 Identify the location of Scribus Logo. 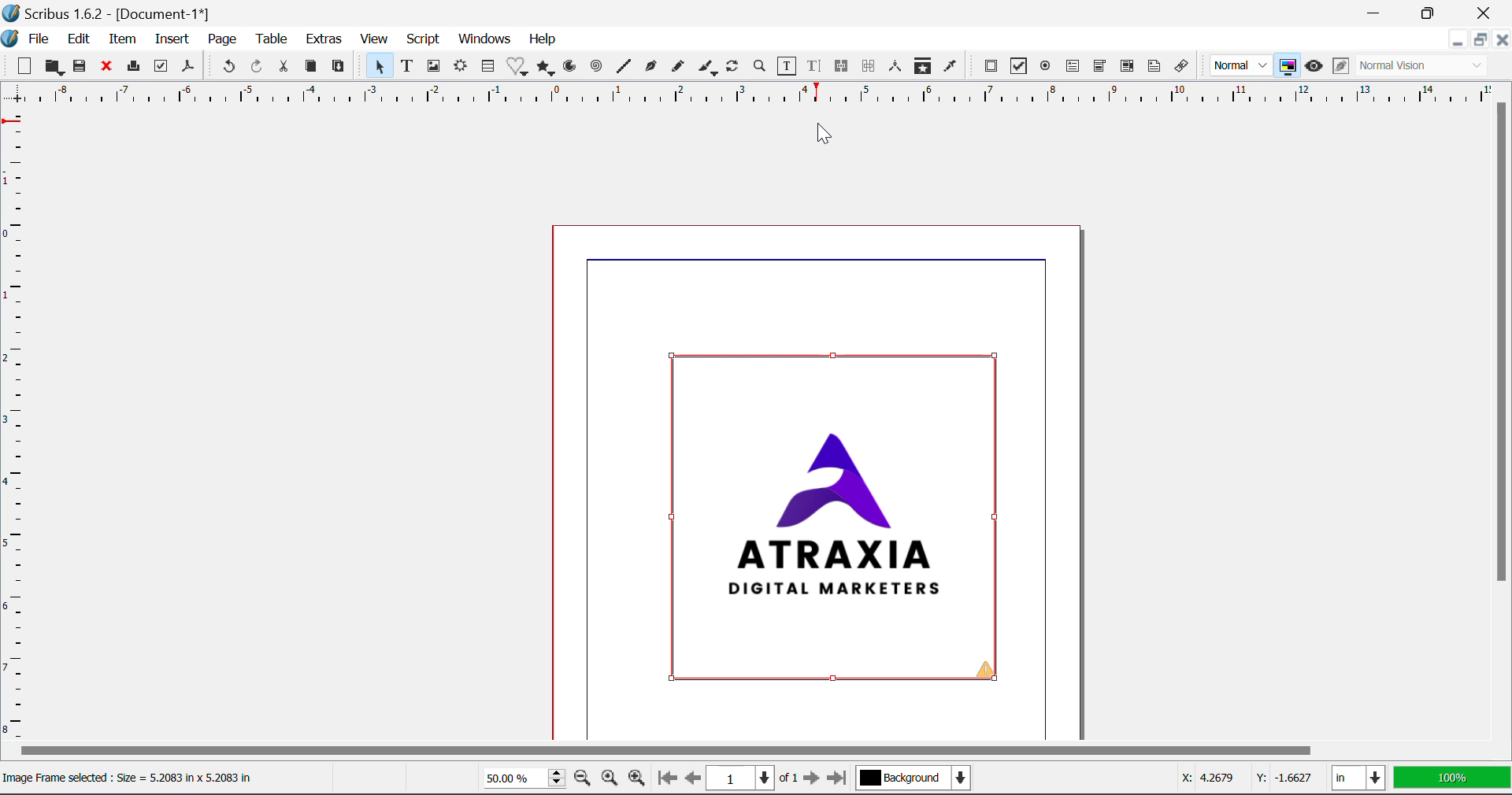
(9, 39).